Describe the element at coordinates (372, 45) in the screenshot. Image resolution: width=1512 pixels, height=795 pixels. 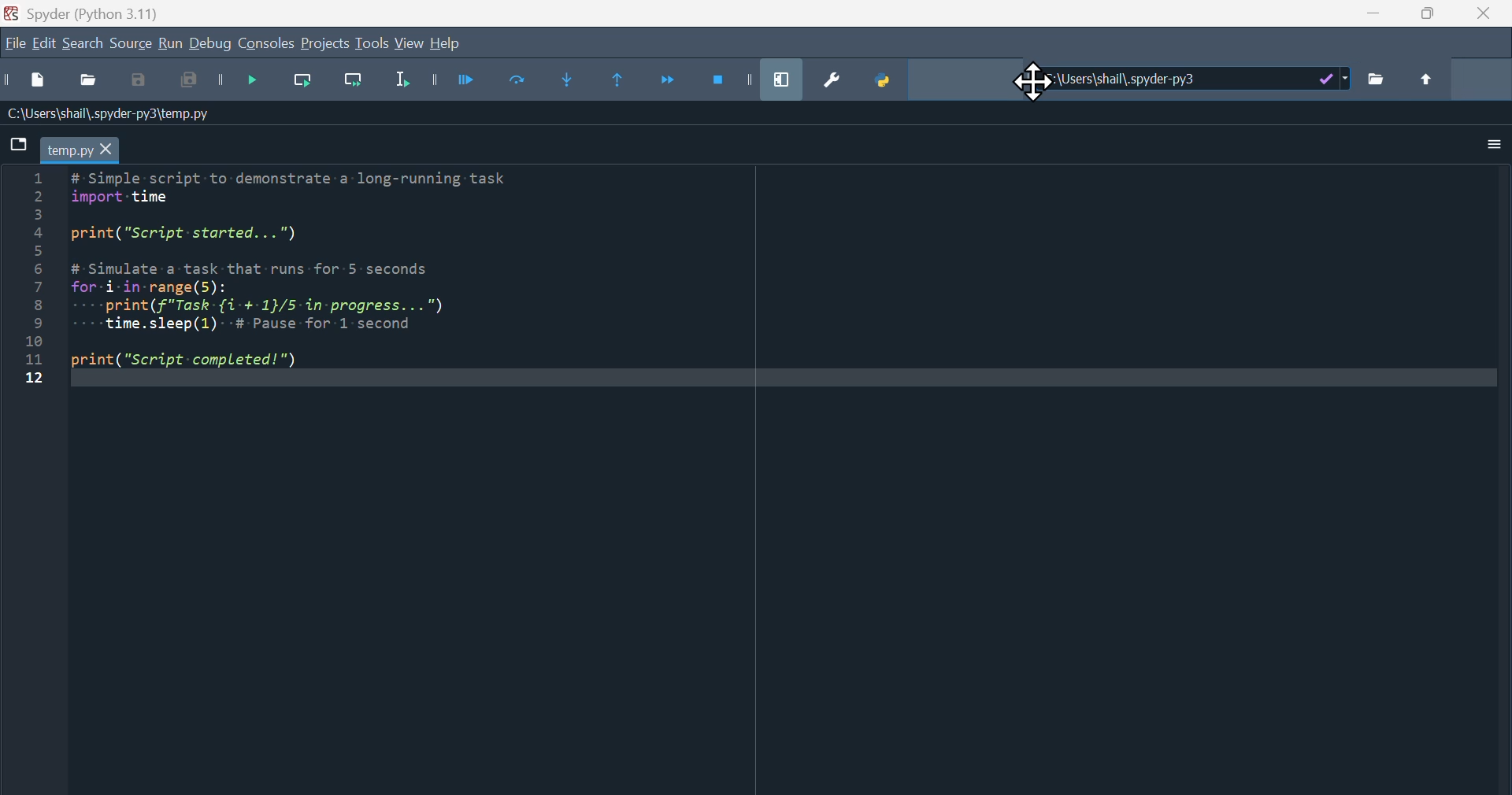
I see `Tools` at that location.